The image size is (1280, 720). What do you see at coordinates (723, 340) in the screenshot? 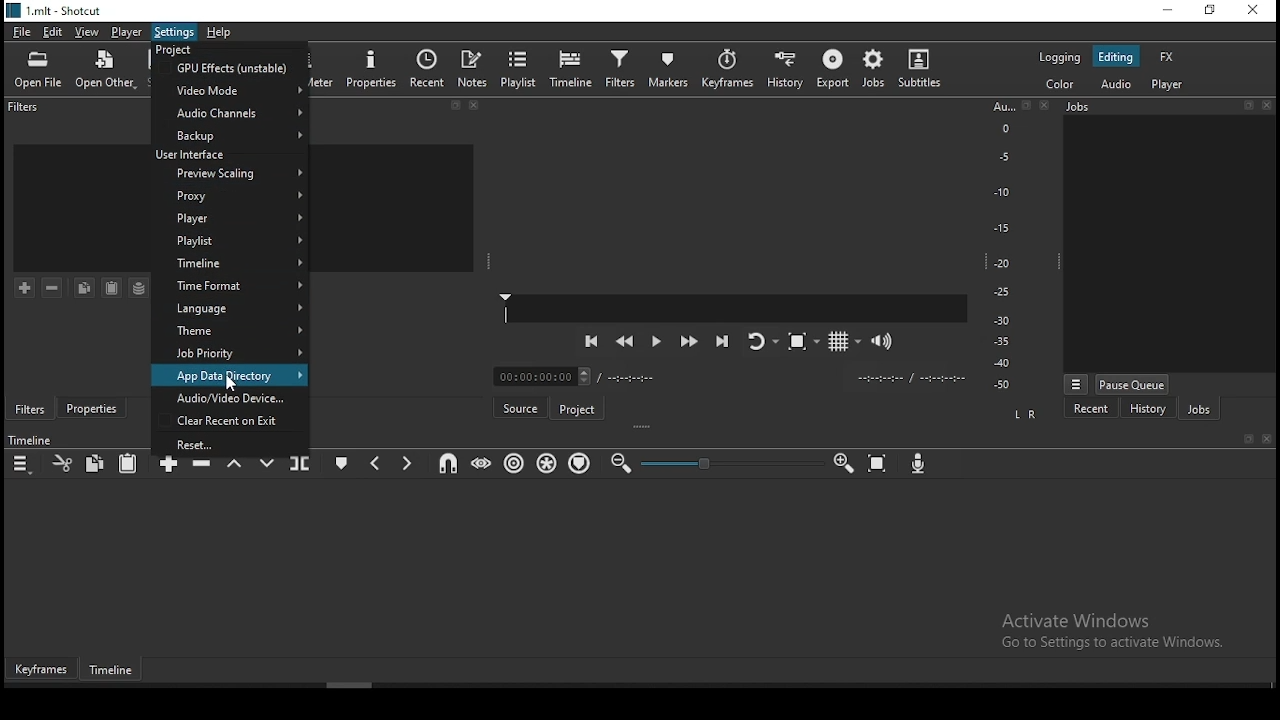
I see `skip to the next point` at bounding box center [723, 340].